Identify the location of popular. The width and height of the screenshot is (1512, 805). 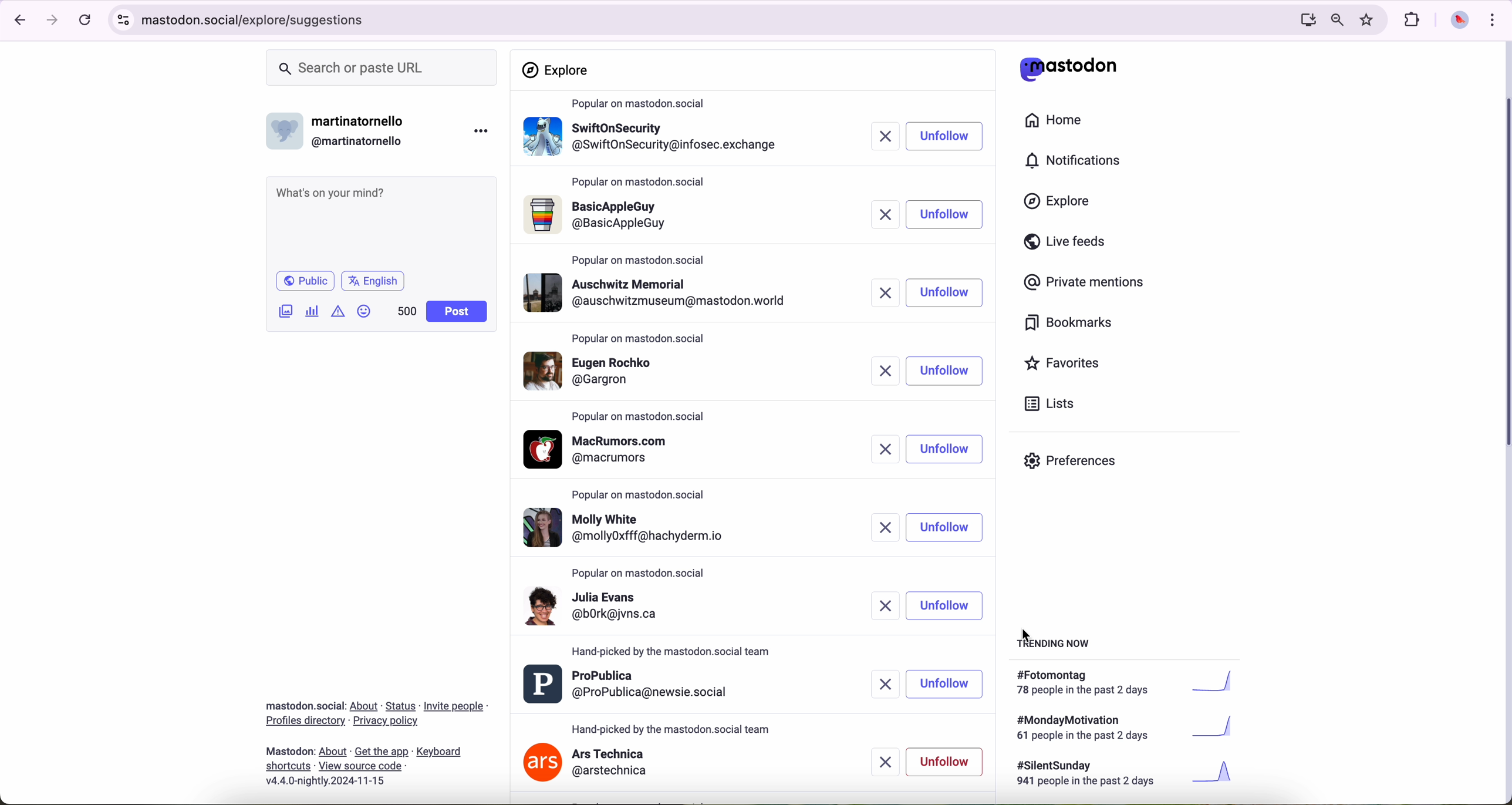
(640, 339).